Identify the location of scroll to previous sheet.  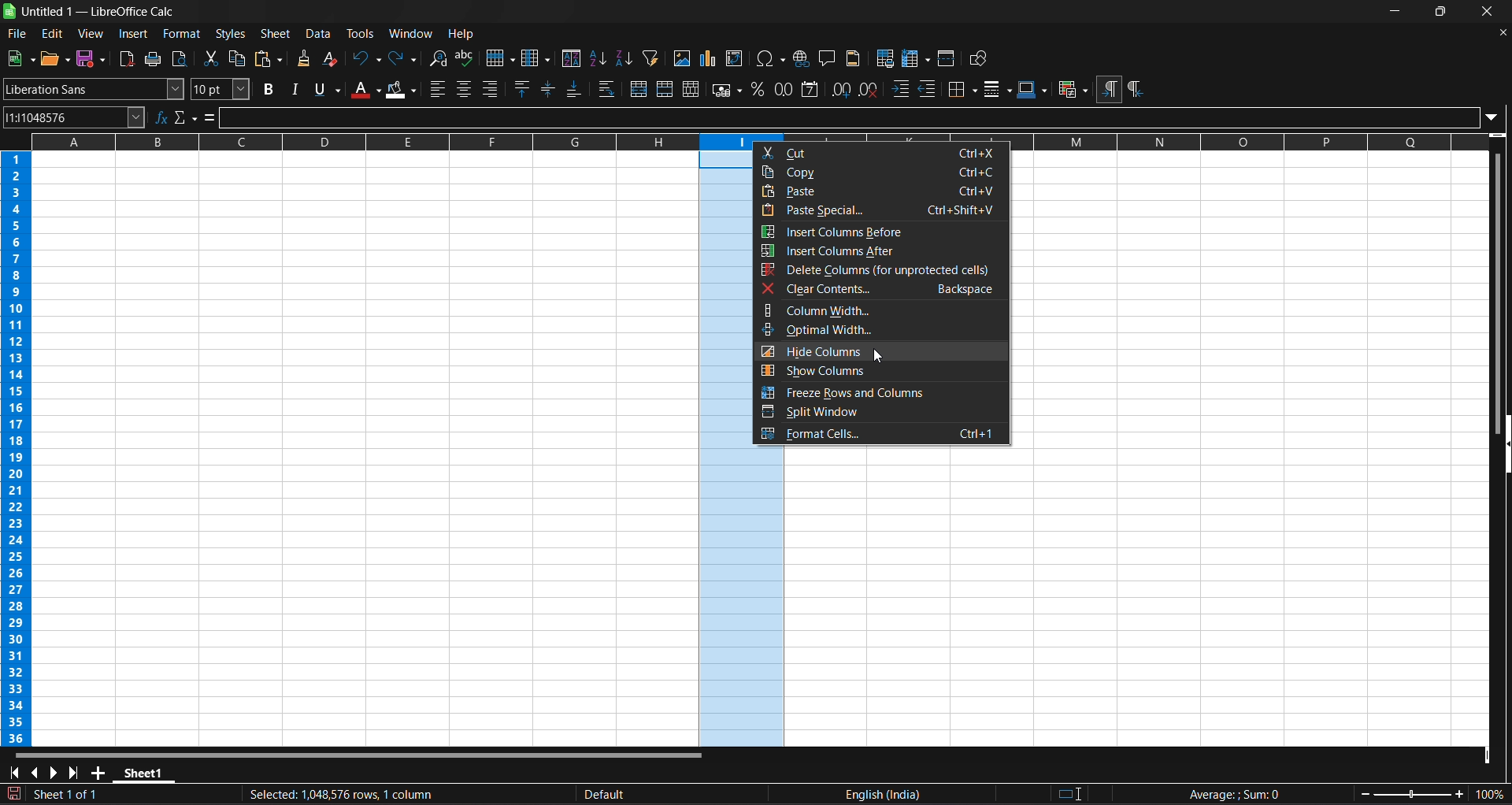
(36, 772).